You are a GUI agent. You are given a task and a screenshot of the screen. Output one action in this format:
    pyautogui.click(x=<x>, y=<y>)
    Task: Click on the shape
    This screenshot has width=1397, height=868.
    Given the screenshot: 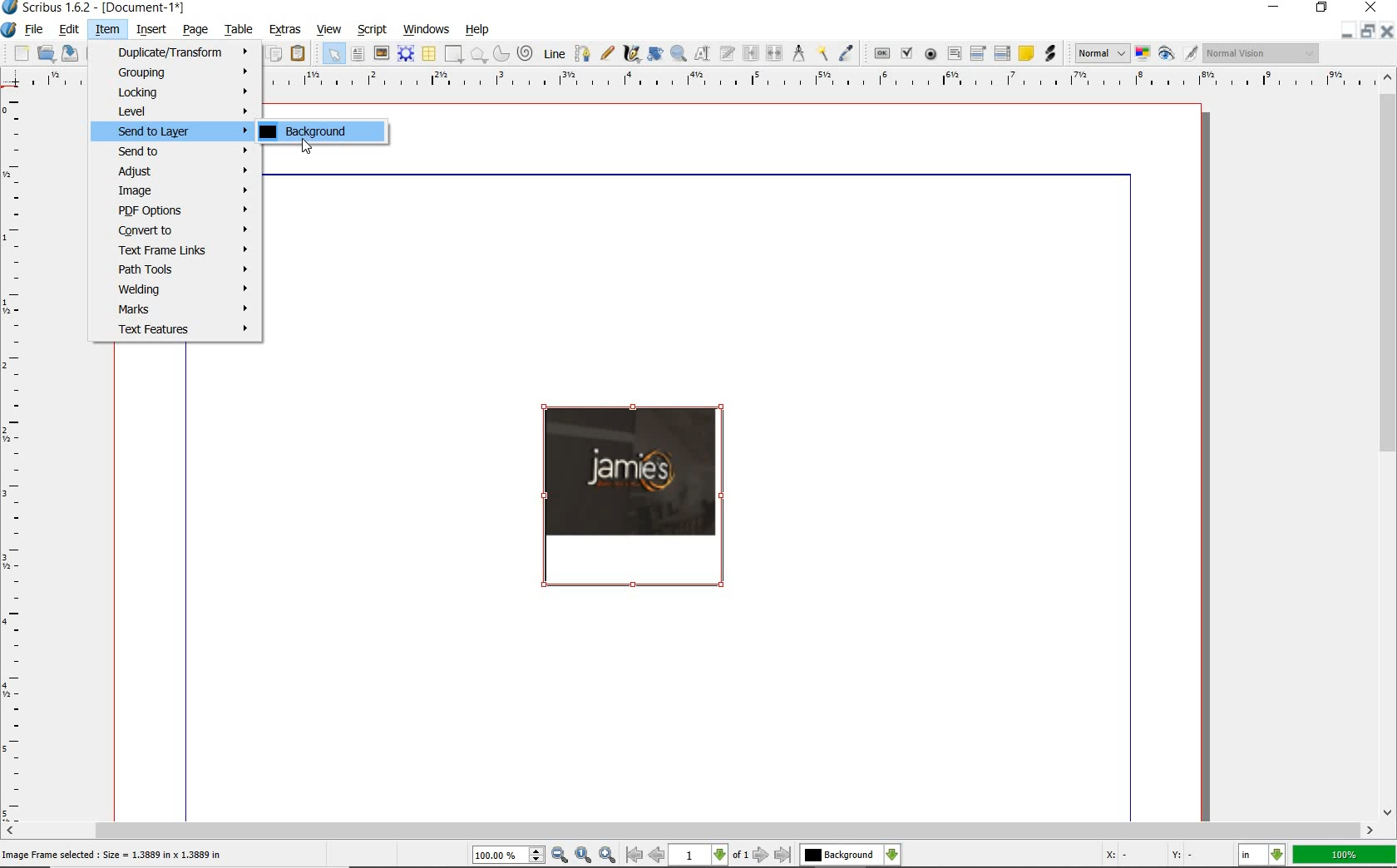 What is the action you would take?
    pyautogui.click(x=455, y=52)
    